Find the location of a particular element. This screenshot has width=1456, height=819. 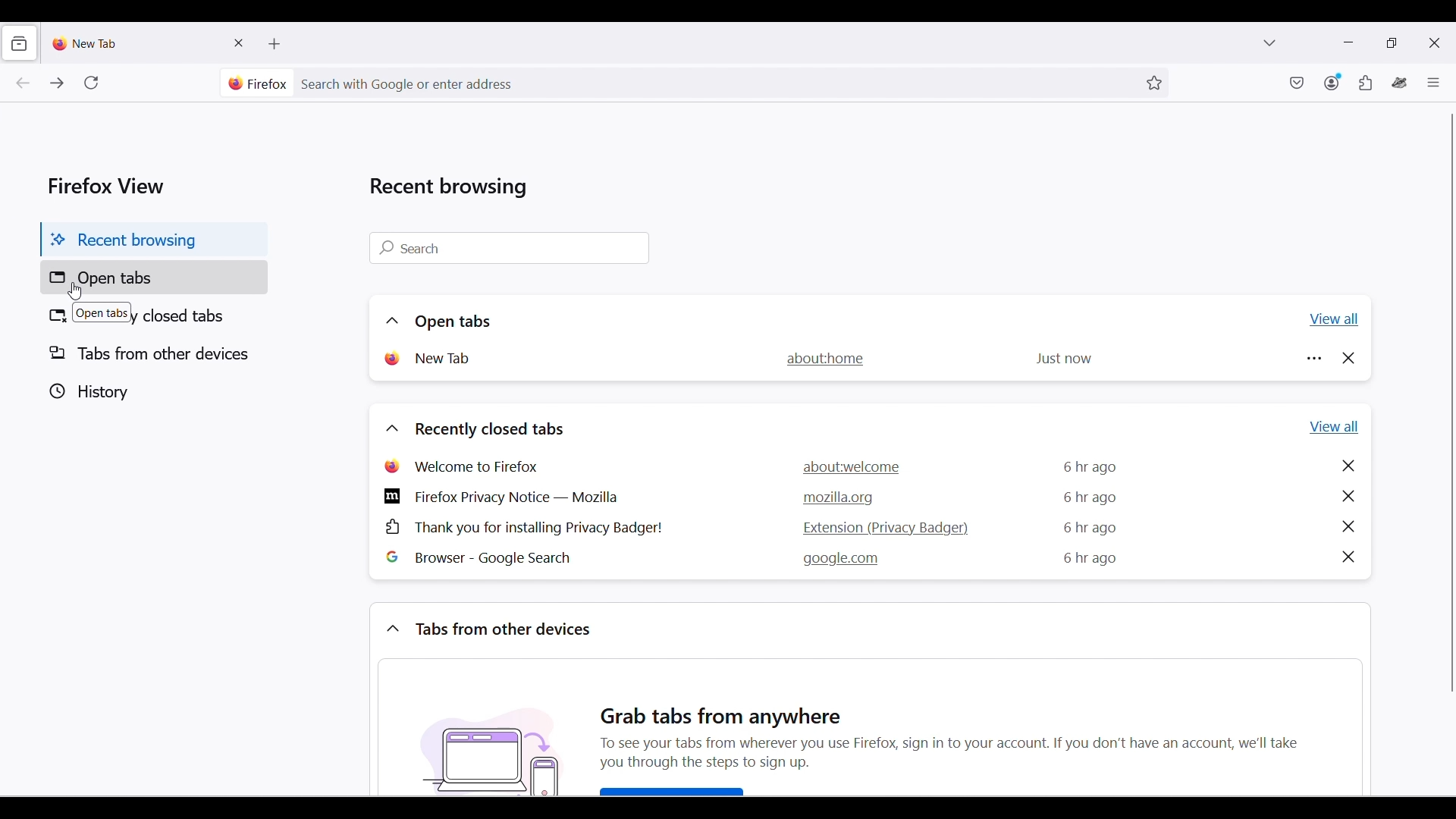

Section title - Tabs from other devices is located at coordinates (502, 629).